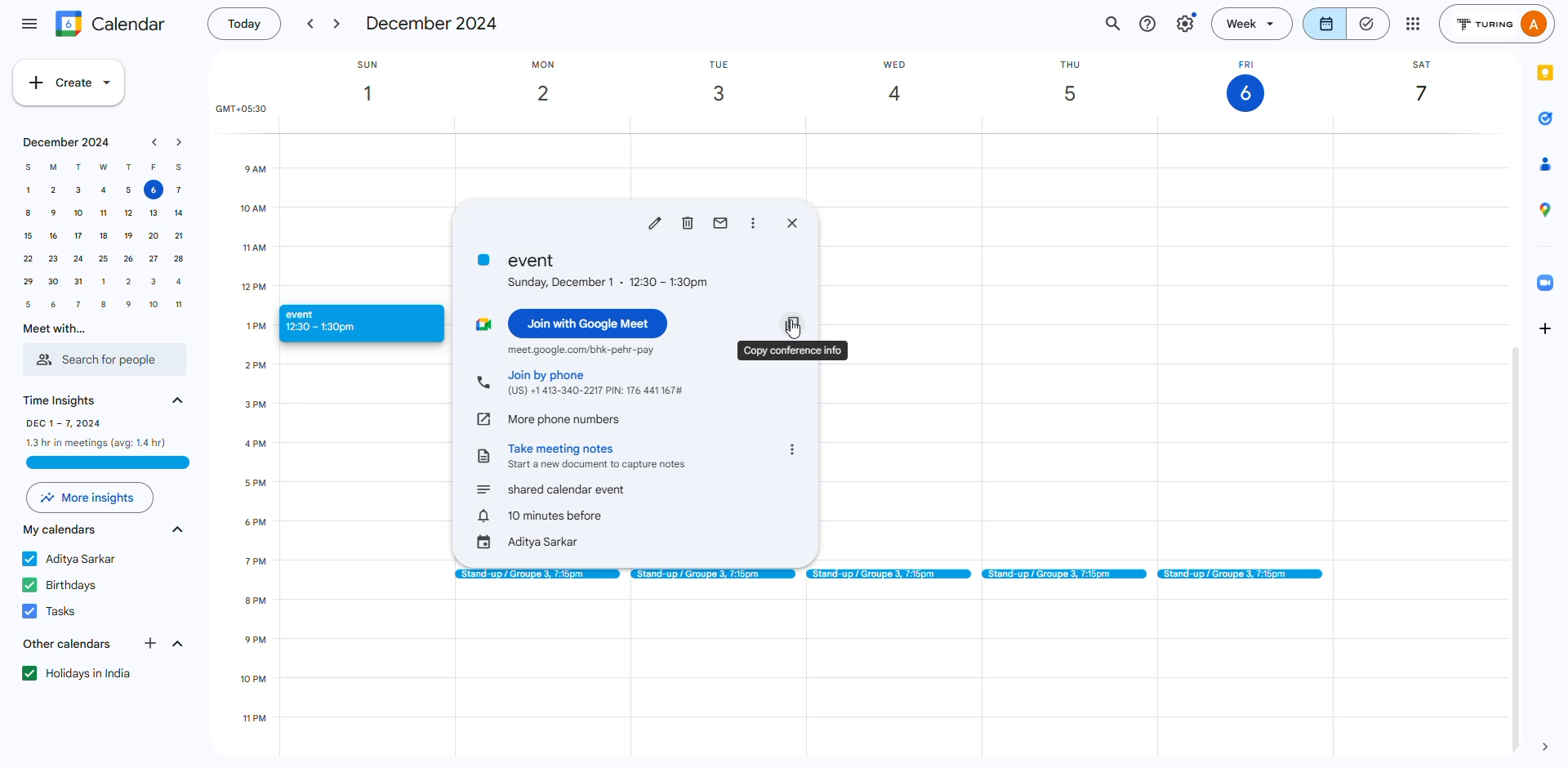  What do you see at coordinates (339, 25) in the screenshot?
I see `next` at bounding box center [339, 25].